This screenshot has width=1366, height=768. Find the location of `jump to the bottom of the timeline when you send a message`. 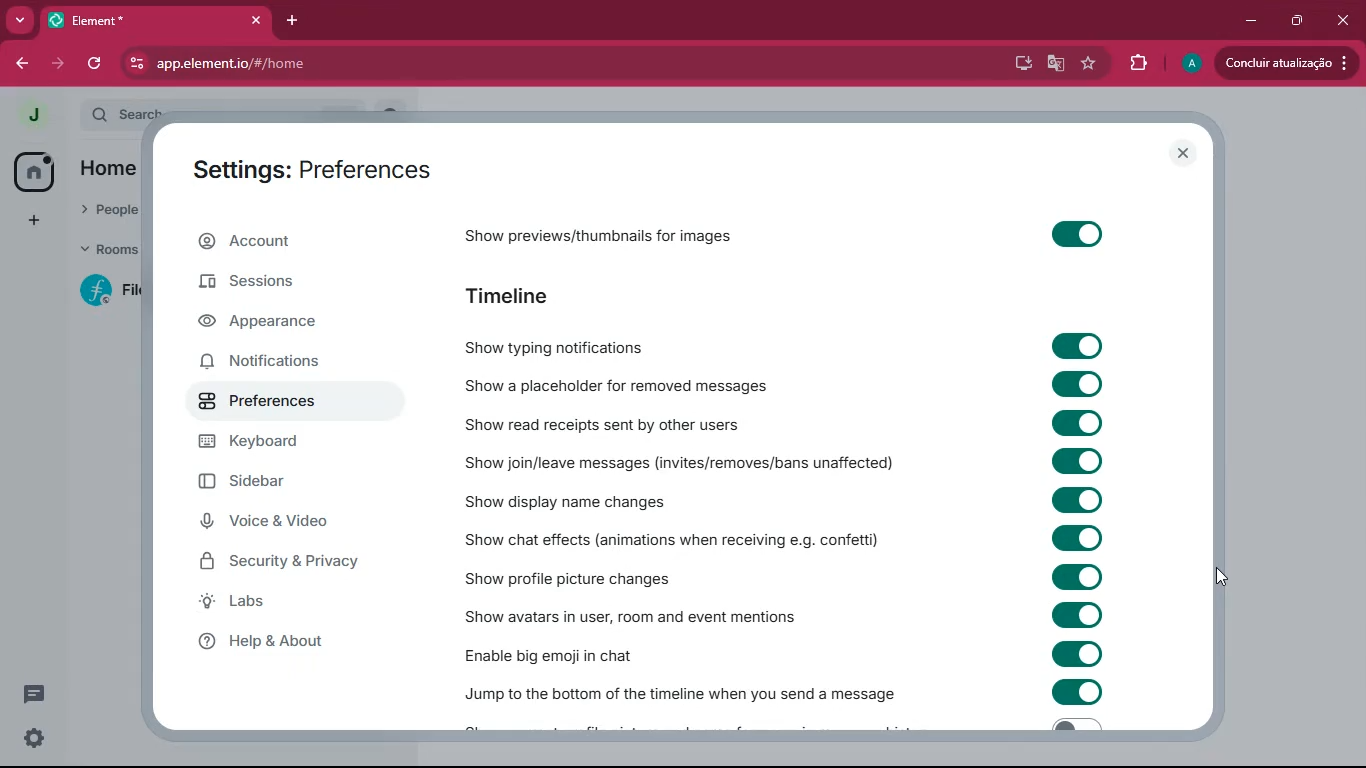

jump to the bottom of the timeline when you send a message is located at coordinates (686, 691).